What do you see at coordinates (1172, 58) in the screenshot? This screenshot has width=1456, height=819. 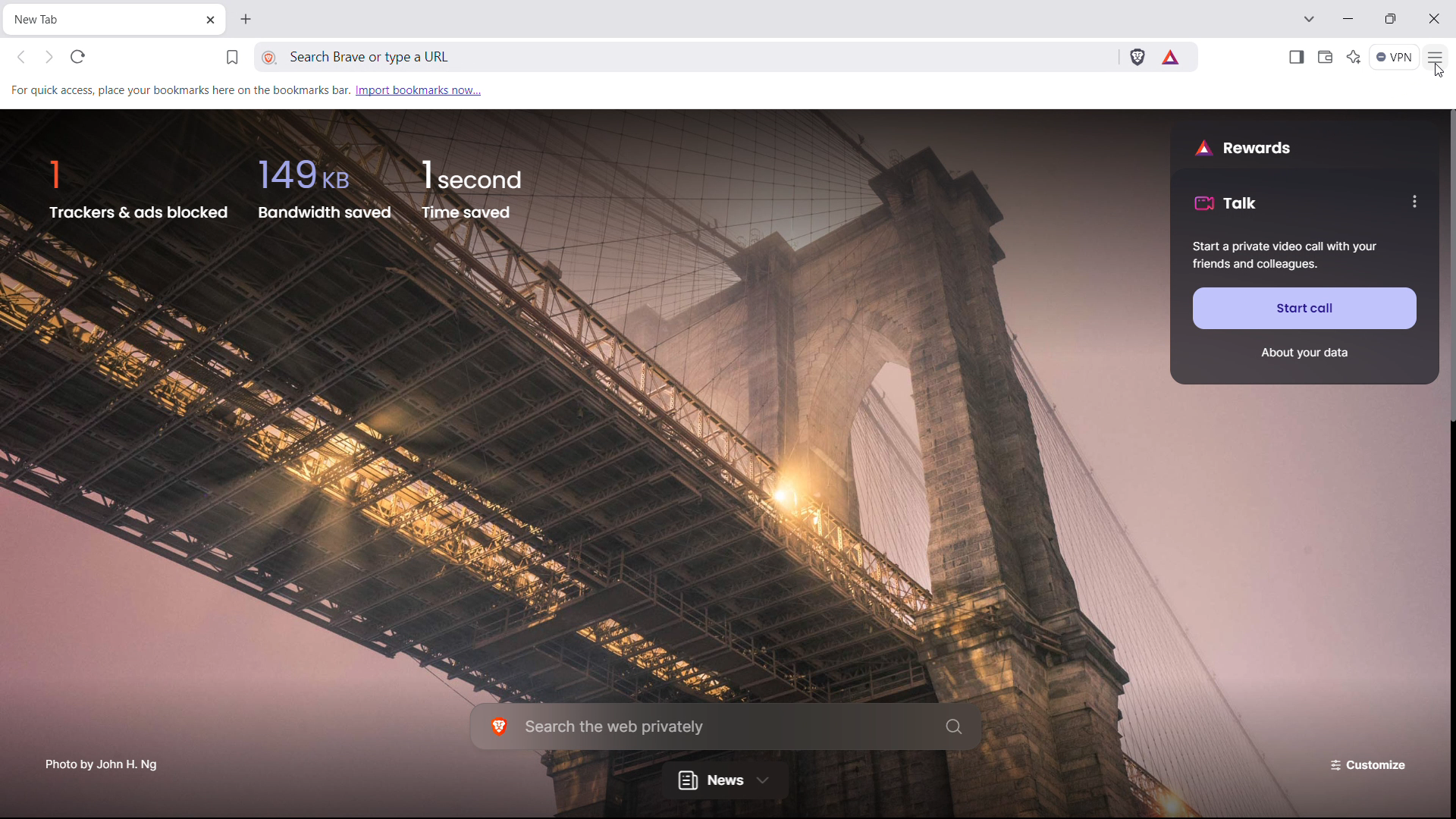 I see `earn tokens` at bounding box center [1172, 58].